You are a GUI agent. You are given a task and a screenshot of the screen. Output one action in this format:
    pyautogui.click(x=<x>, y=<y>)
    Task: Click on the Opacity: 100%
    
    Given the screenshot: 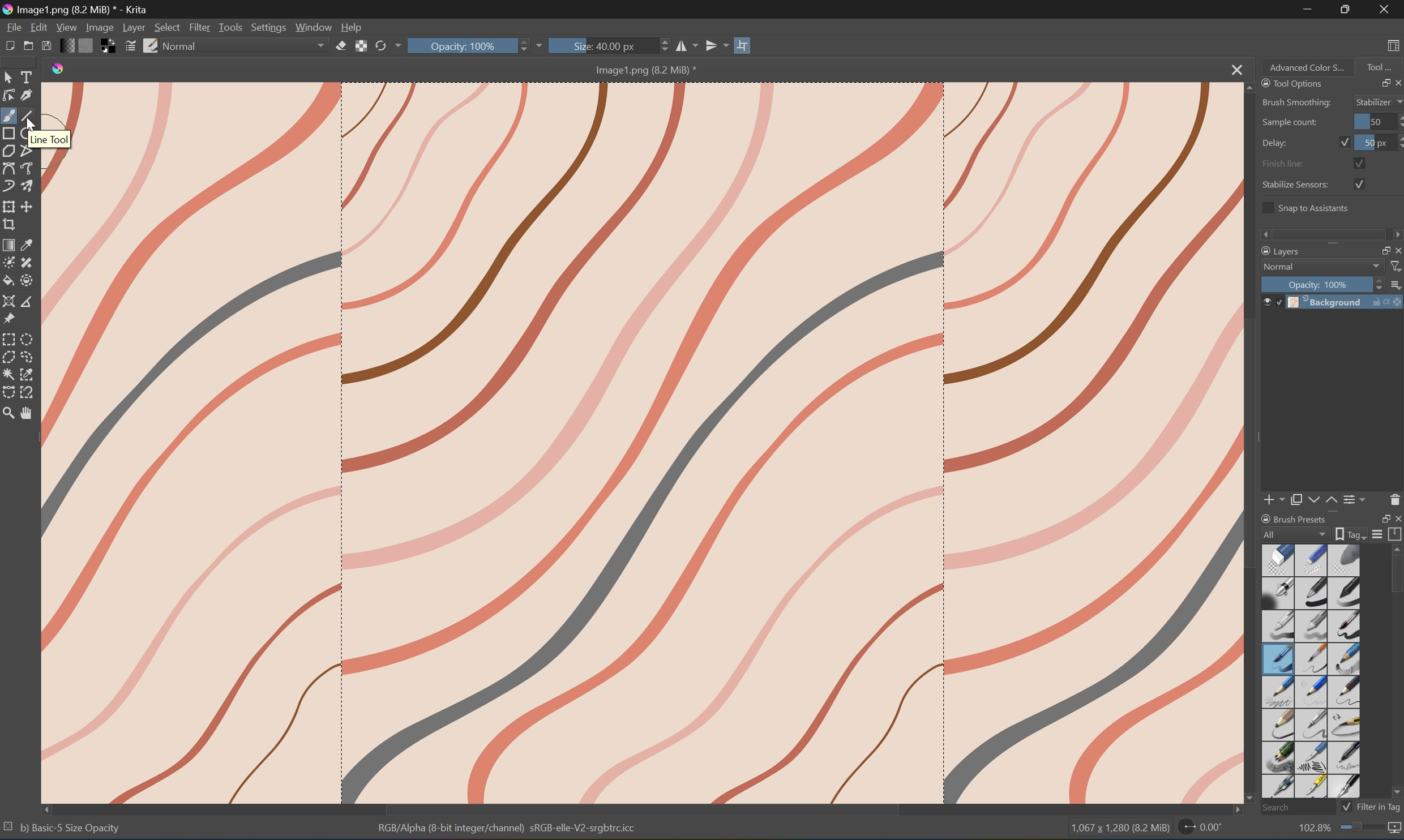 What is the action you would take?
    pyautogui.click(x=469, y=46)
    